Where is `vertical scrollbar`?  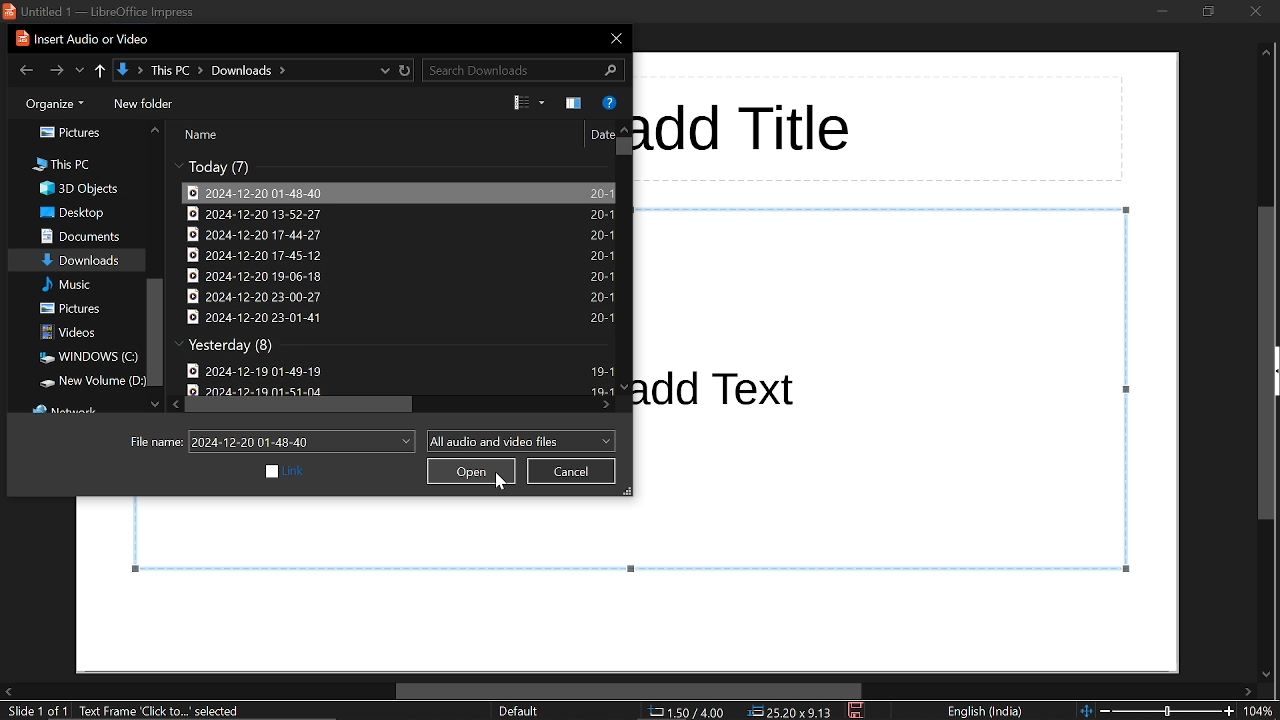 vertical scrollbar is located at coordinates (1270, 361).